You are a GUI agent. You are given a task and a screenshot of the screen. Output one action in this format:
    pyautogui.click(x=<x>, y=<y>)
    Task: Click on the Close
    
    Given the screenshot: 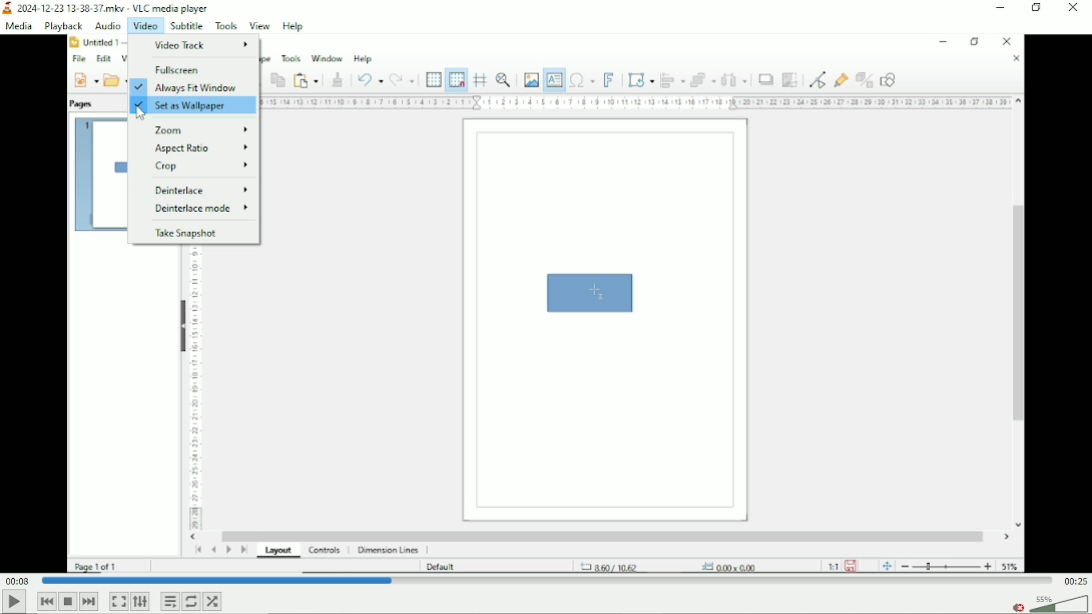 What is the action you would take?
    pyautogui.click(x=1075, y=10)
    